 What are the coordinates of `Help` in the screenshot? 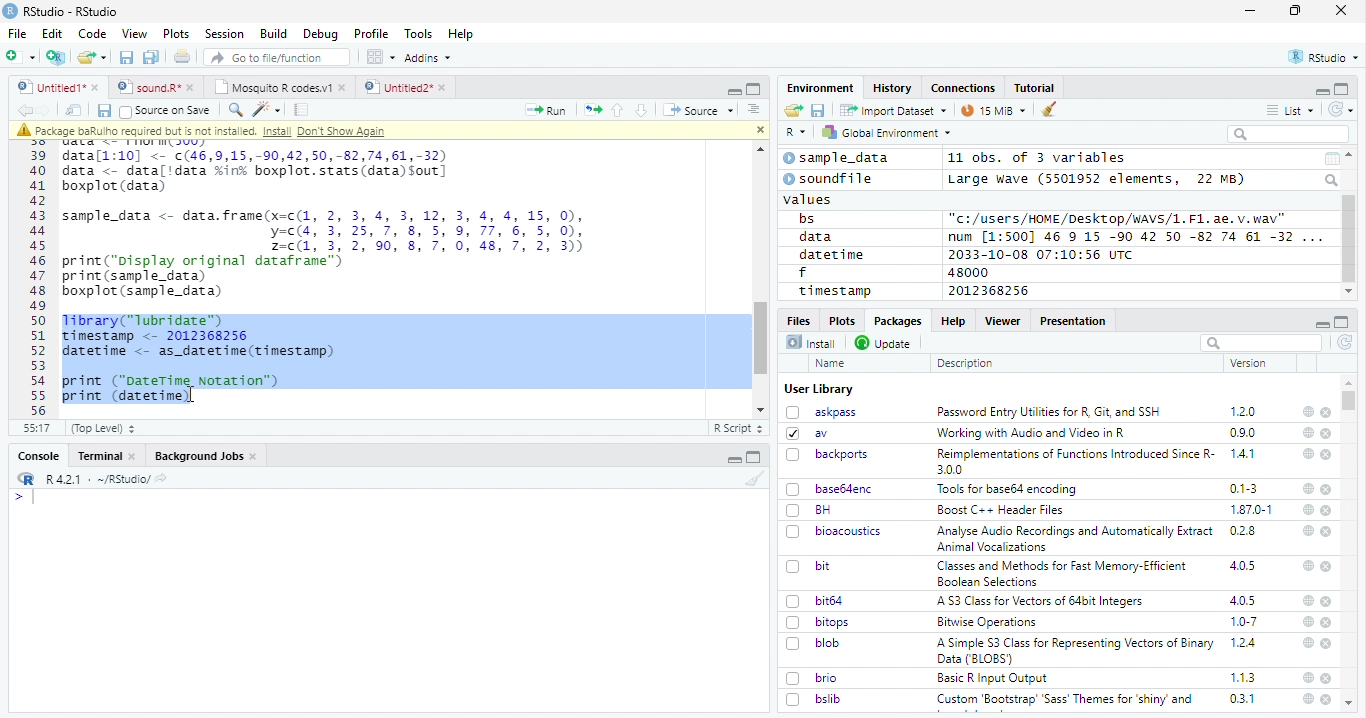 It's located at (952, 320).